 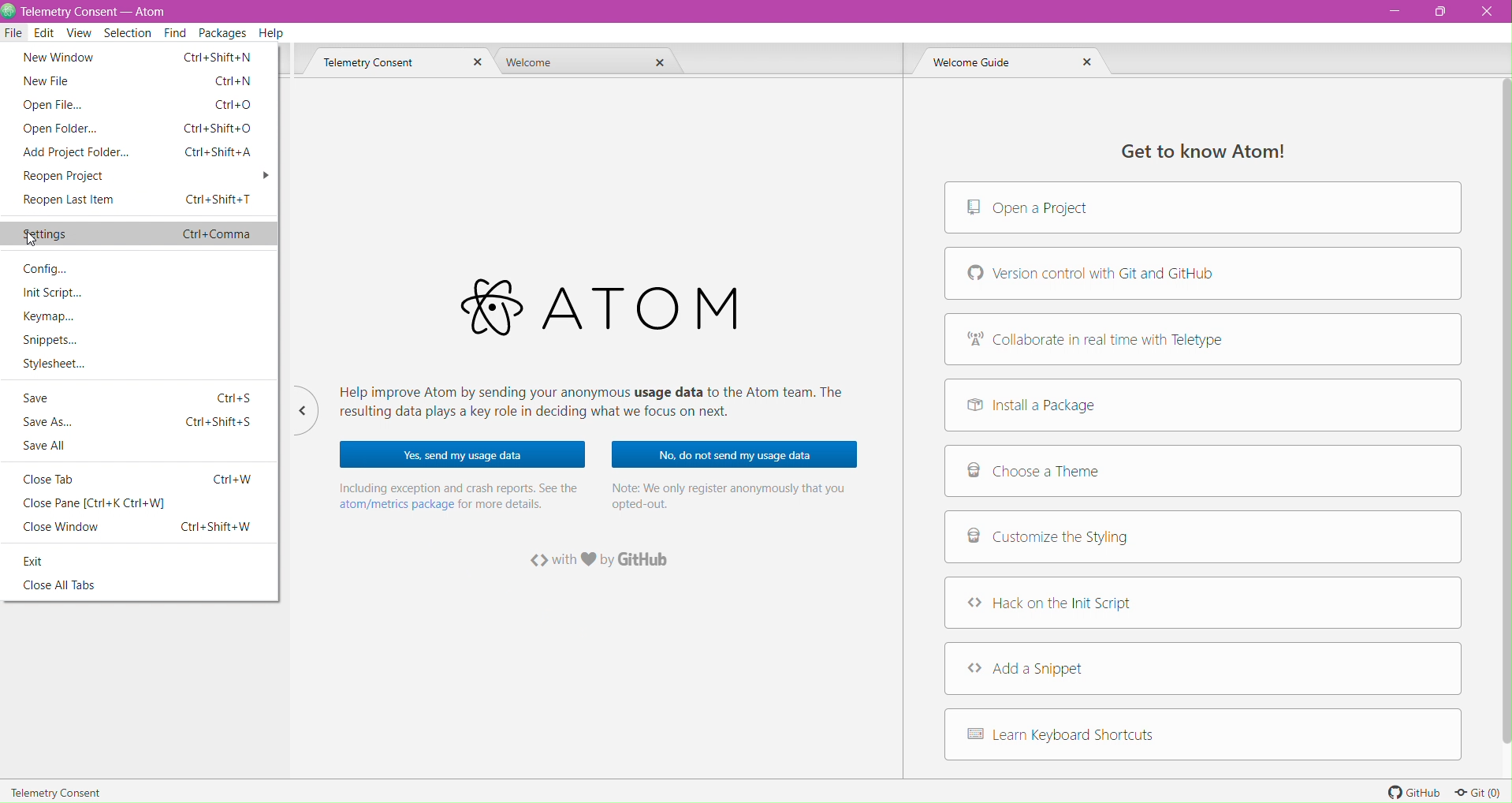 I want to click on Open a Project, so click(x=1203, y=208).